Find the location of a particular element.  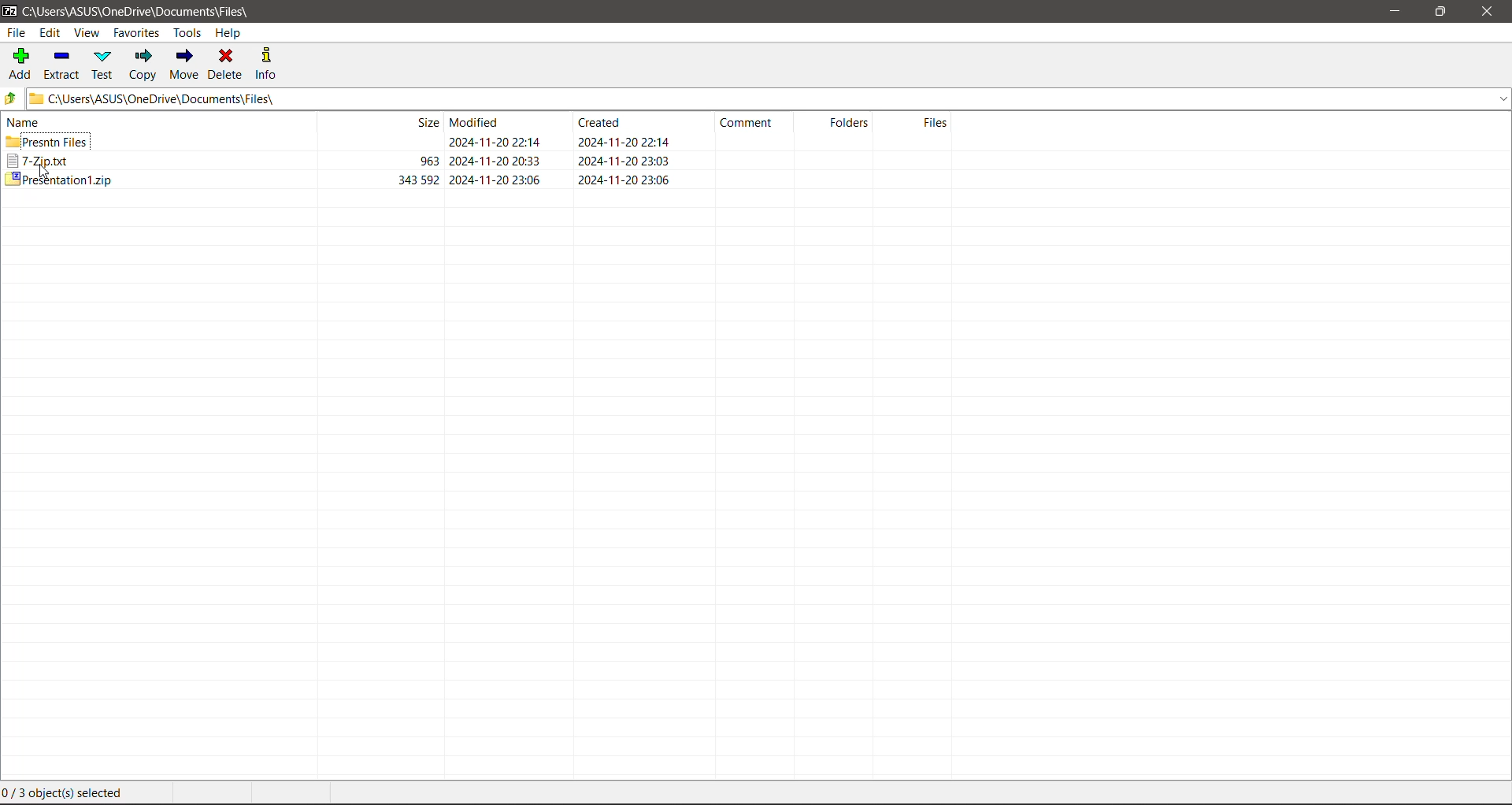

File is located at coordinates (15, 32).